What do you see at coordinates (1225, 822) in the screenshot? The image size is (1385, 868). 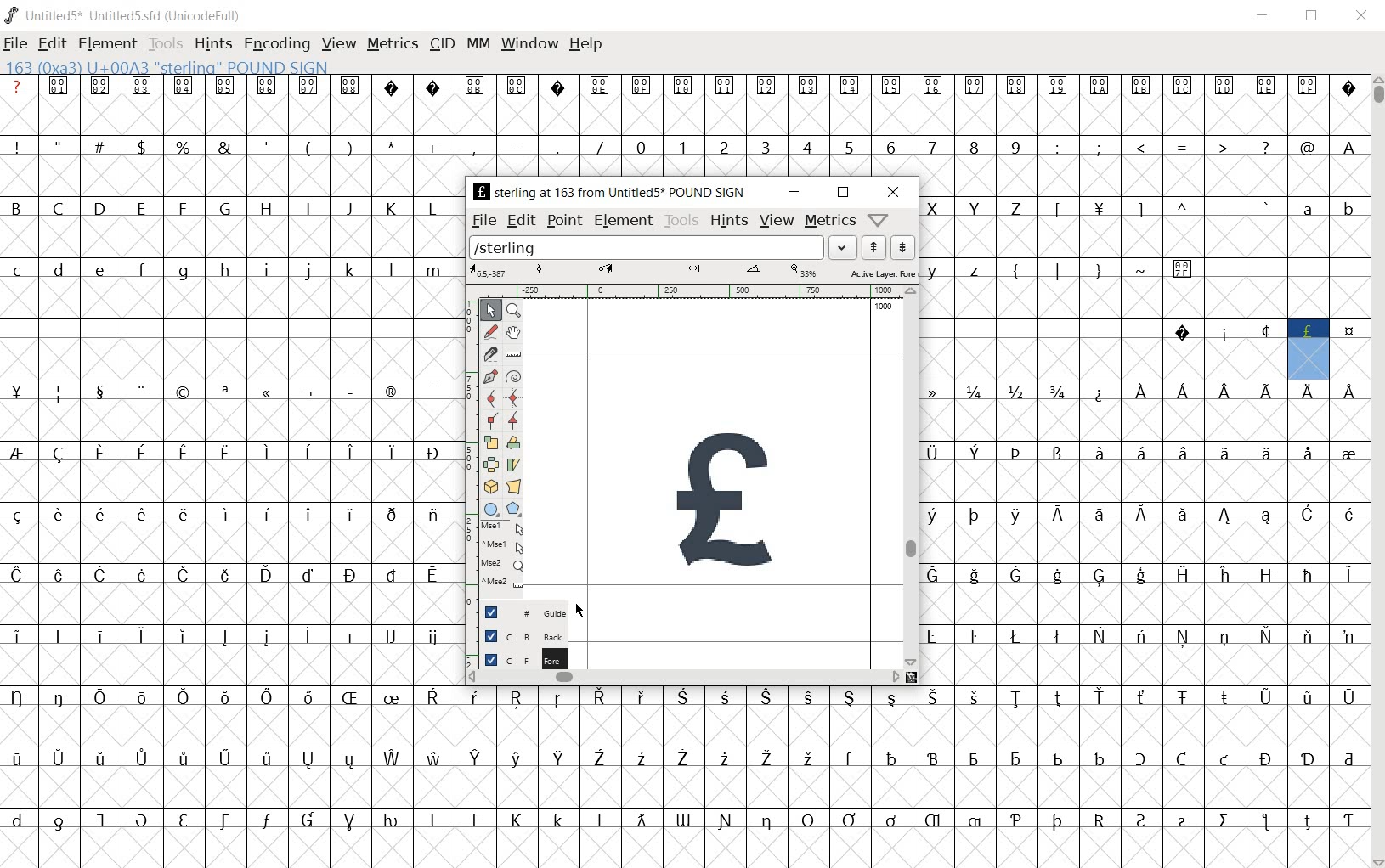 I see `Symbol` at bounding box center [1225, 822].